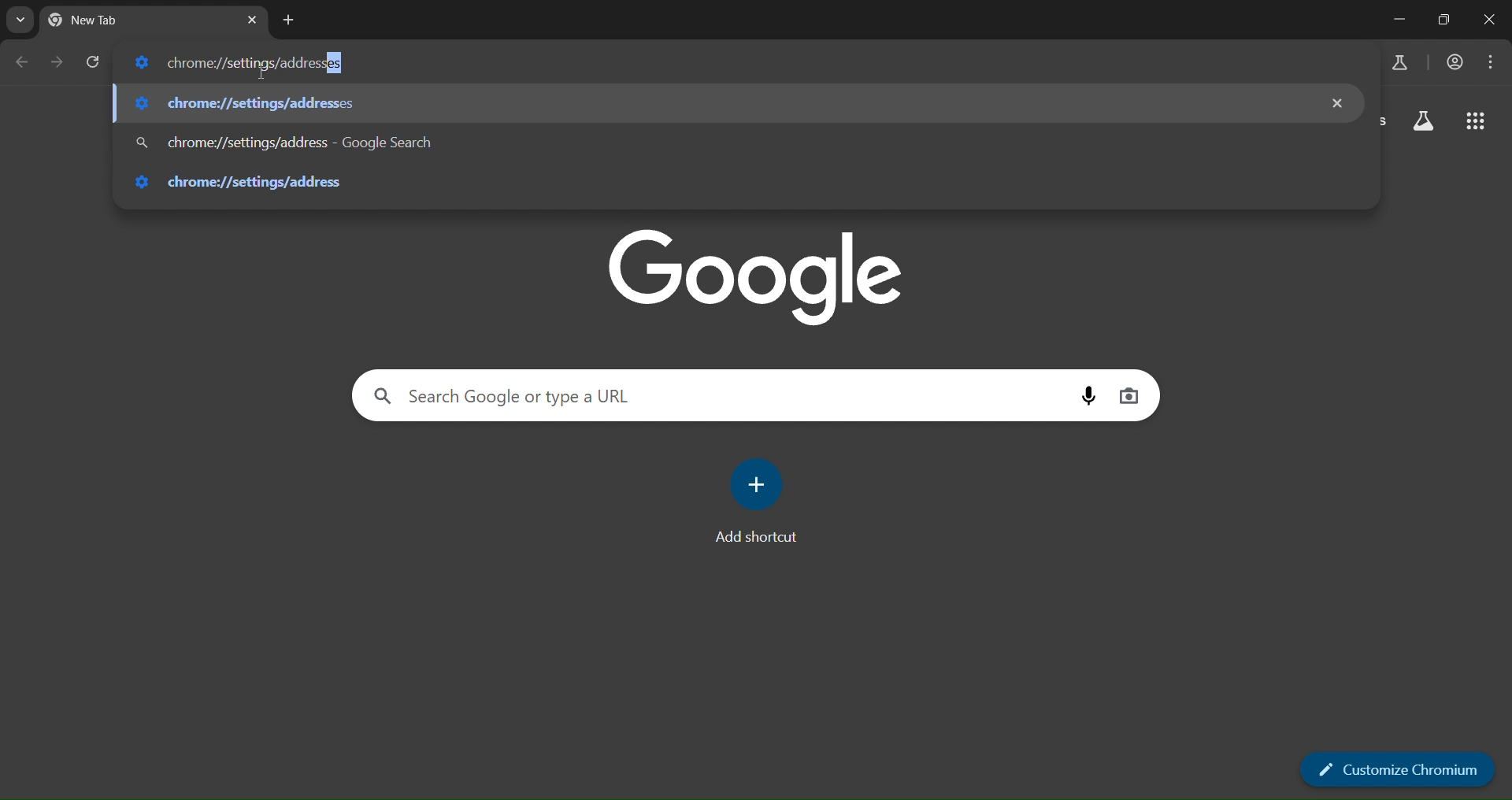 This screenshot has height=800, width=1512. I want to click on search panel, so click(707, 394).